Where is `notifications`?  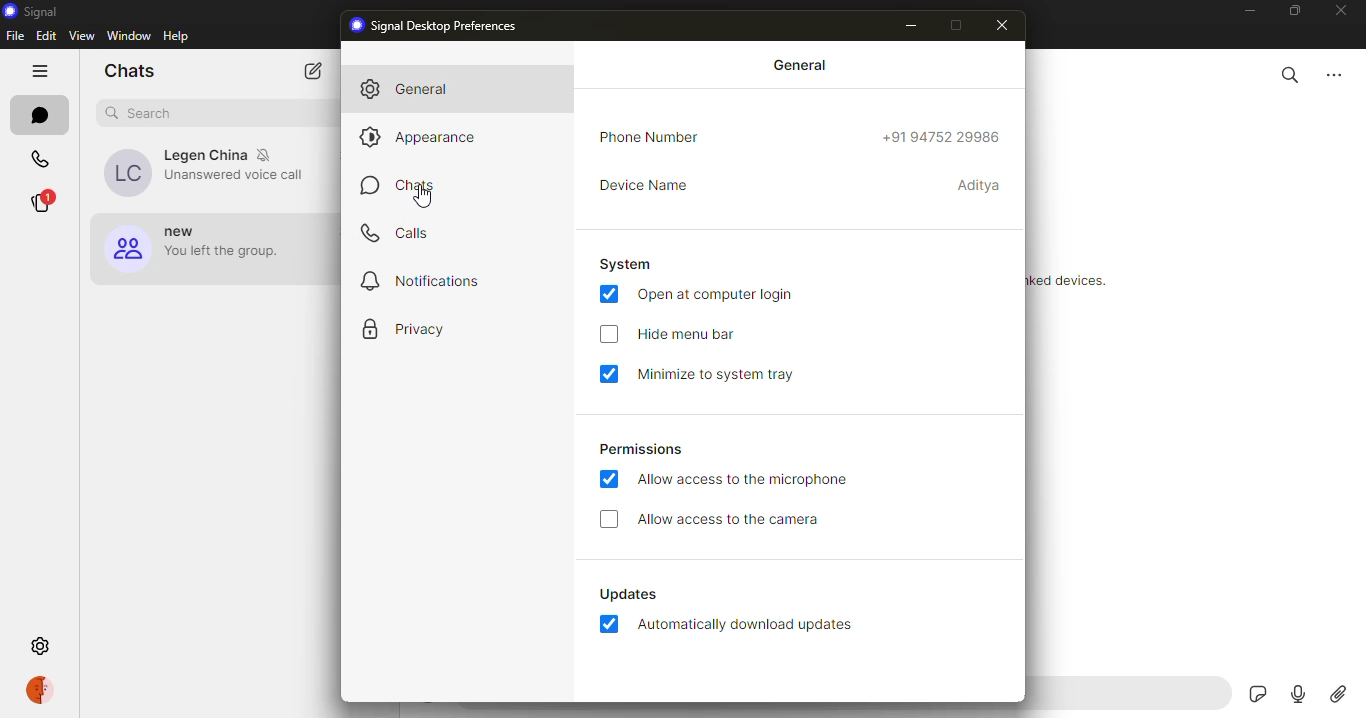 notifications is located at coordinates (428, 279).